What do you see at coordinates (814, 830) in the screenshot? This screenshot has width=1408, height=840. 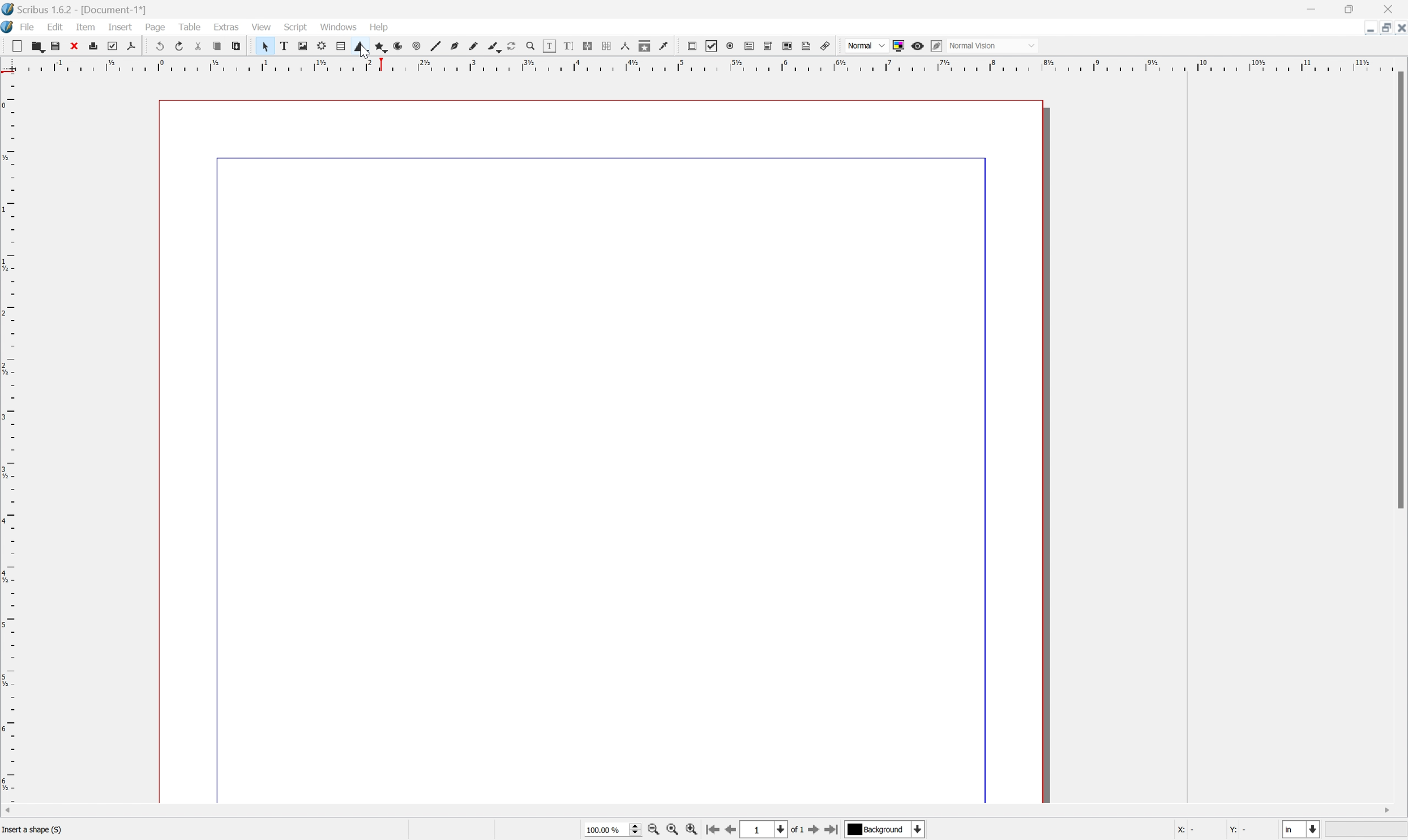 I see `Go to next page` at bounding box center [814, 830].